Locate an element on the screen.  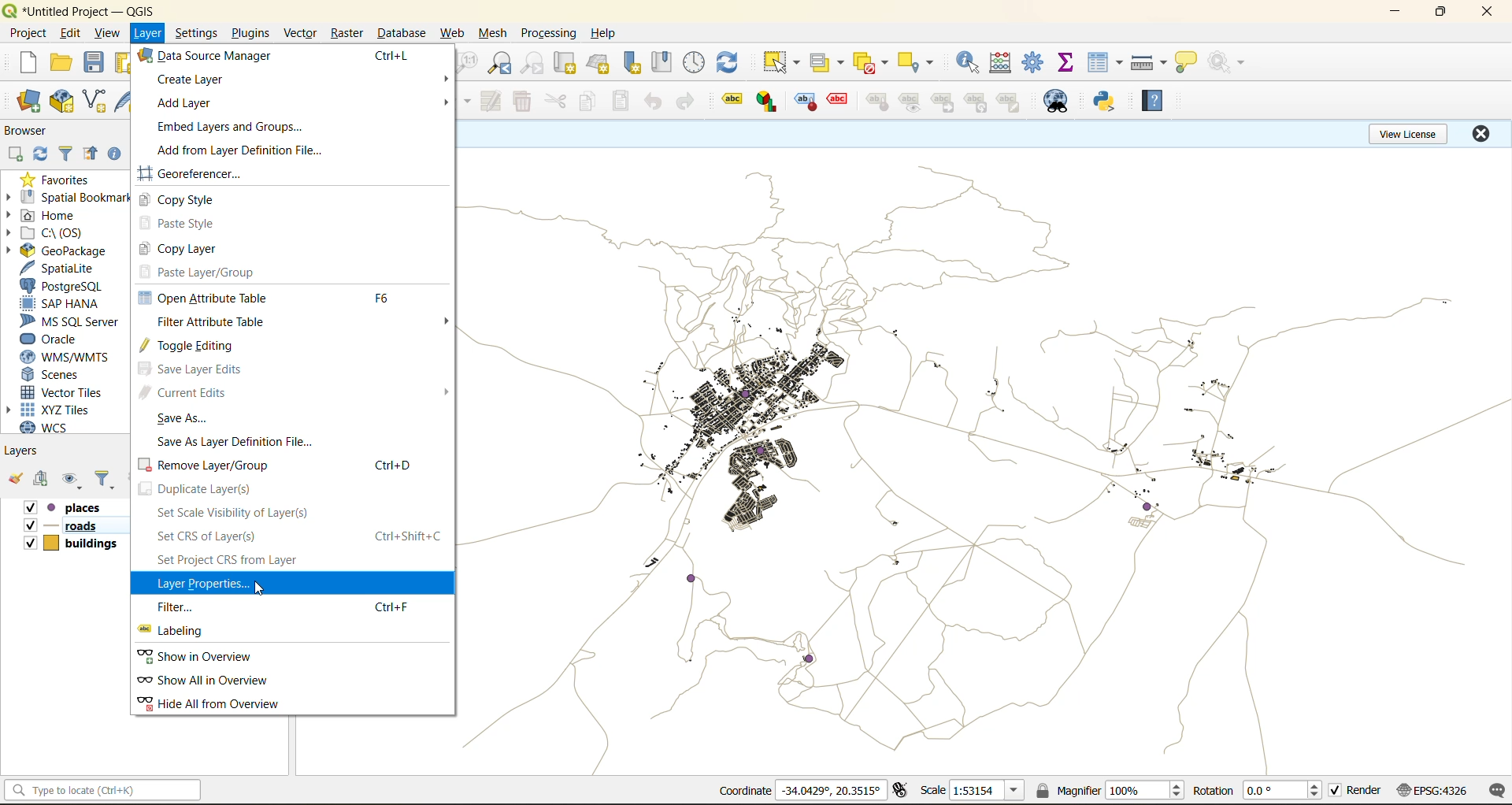
statistical summary is located at coordinates (1068, 65).